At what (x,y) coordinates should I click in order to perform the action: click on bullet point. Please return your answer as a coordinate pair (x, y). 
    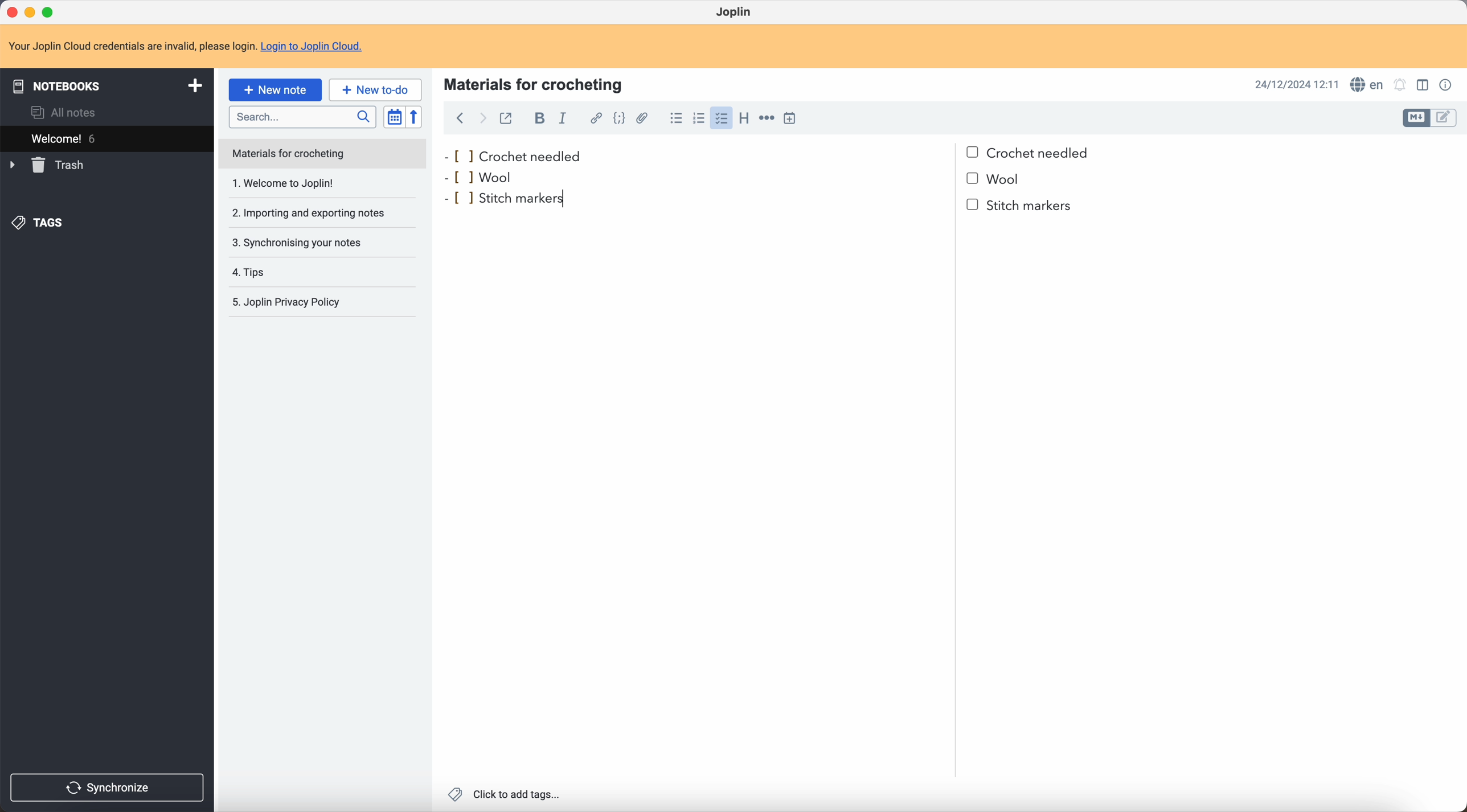
    Looking at the image, I should click on (998, 177).